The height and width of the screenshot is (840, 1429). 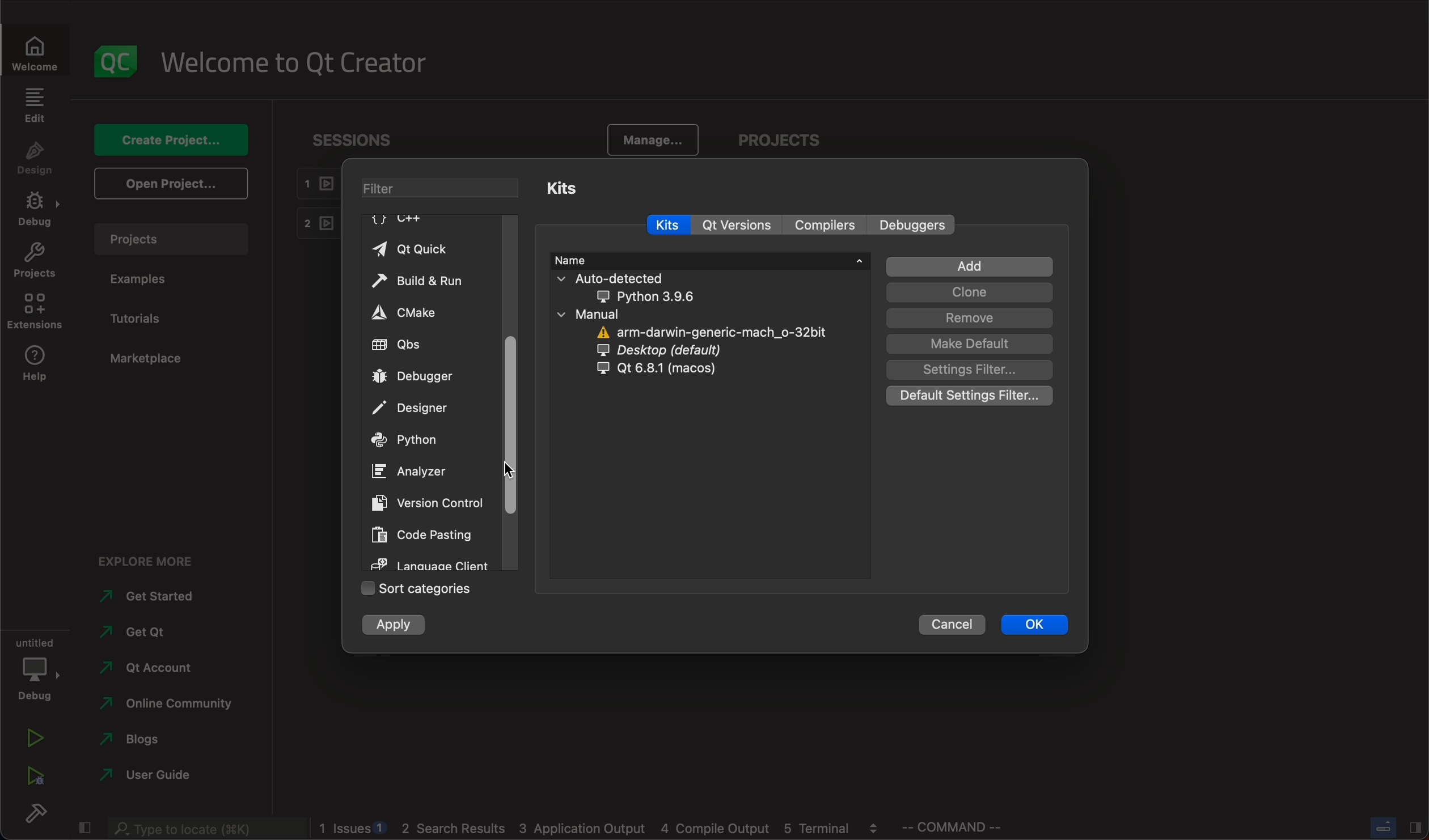 I want to click on run debug, so click(x=31, y=778).